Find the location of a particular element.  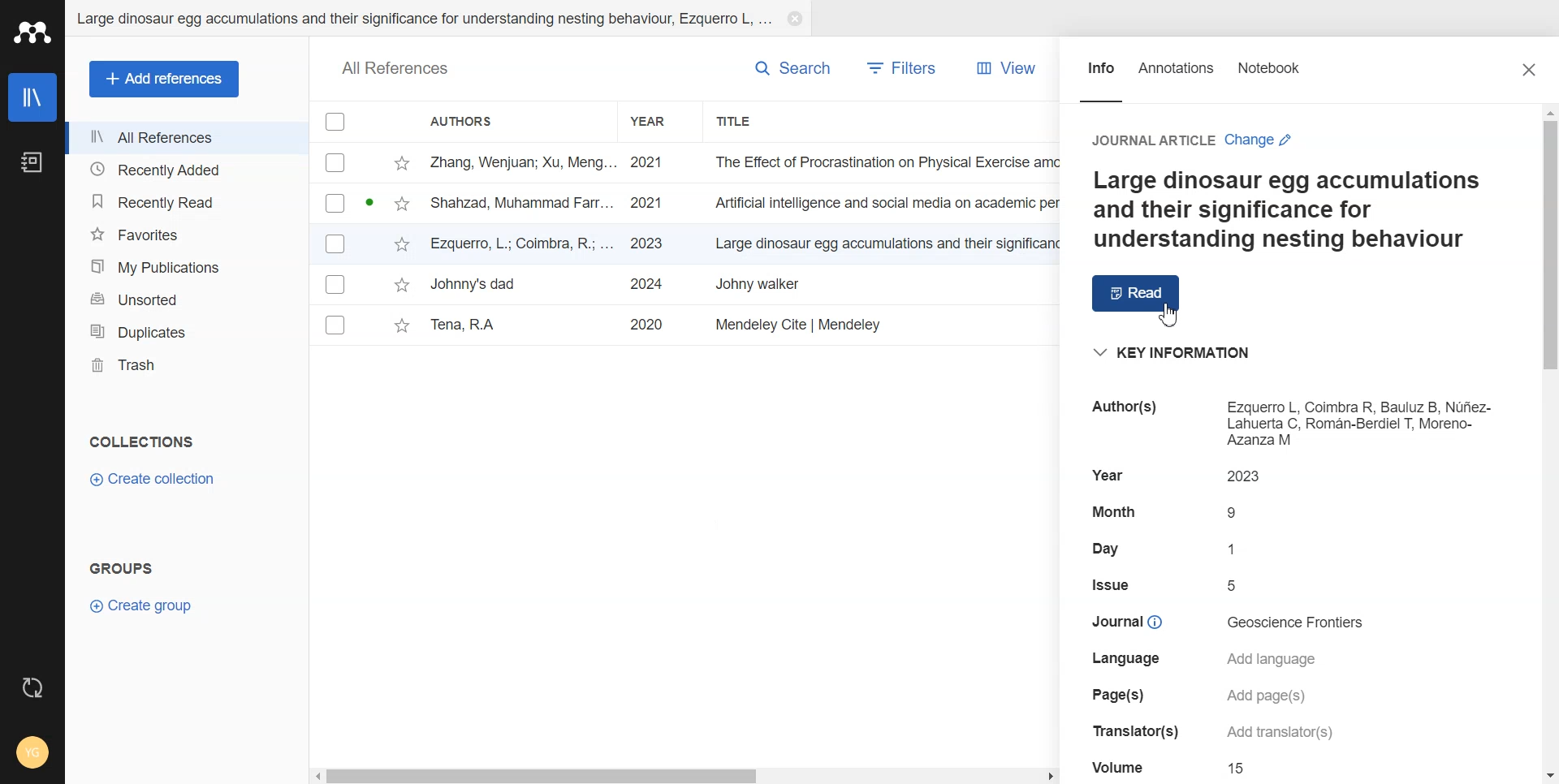

Trash is located at coordinates (185, 365).